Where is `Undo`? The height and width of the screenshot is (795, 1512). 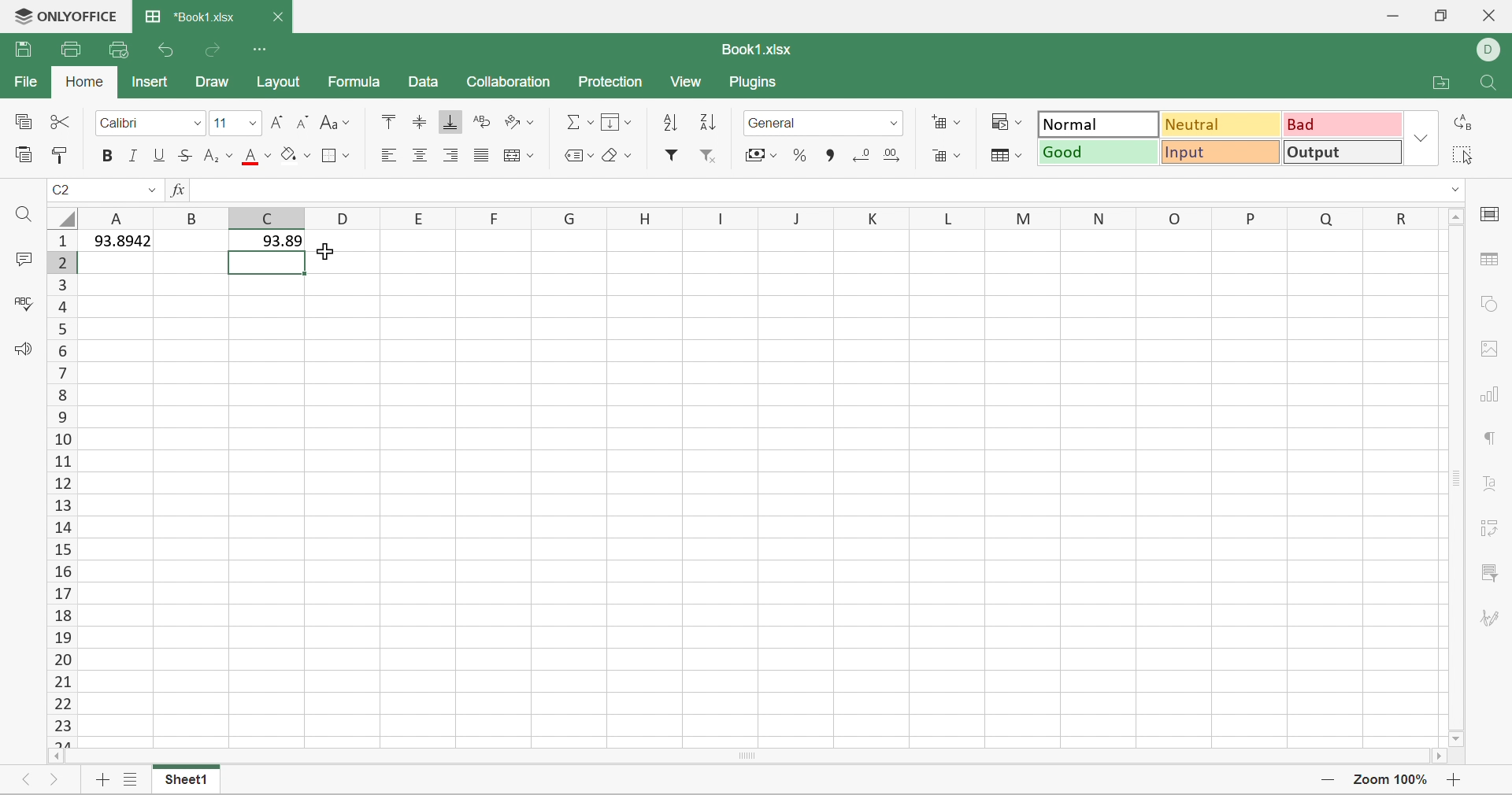
Undo is located at coordinates (168, 49).